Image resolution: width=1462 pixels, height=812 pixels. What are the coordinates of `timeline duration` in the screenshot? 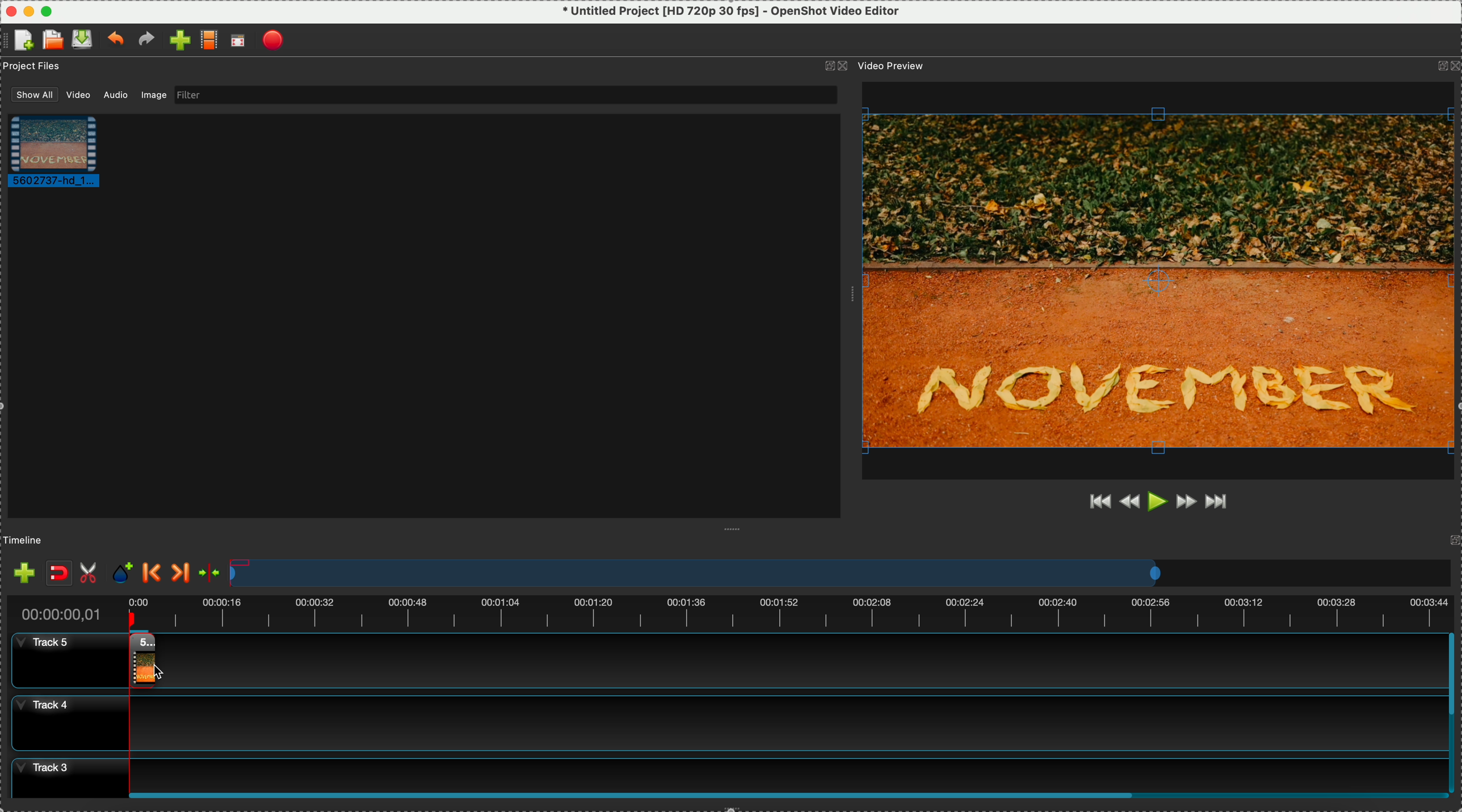 It's located at (728, 610).